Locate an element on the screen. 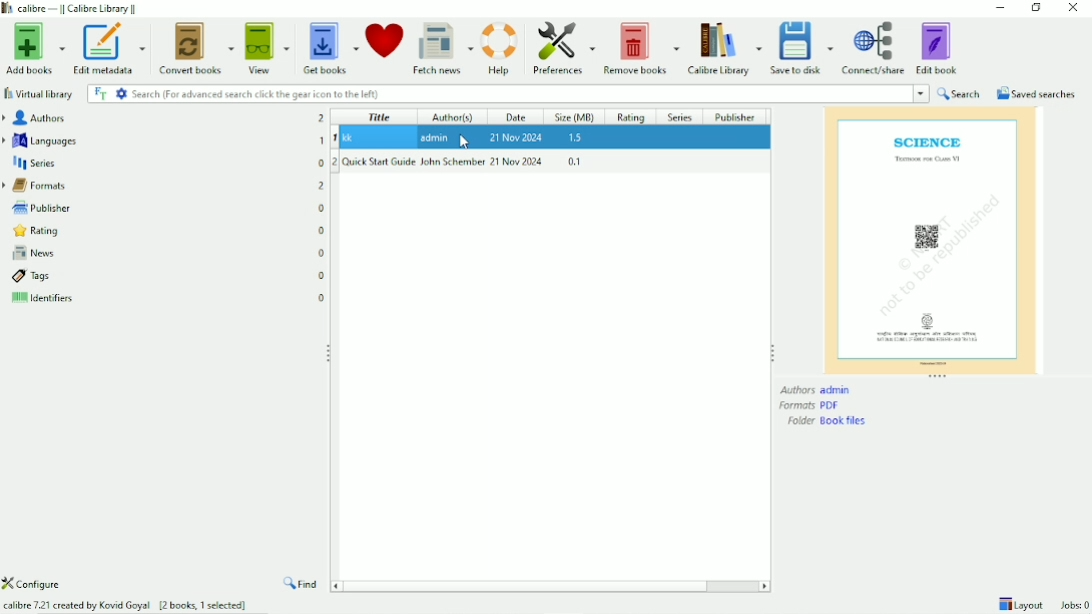  Remove books is located at coordinates (641, 49).